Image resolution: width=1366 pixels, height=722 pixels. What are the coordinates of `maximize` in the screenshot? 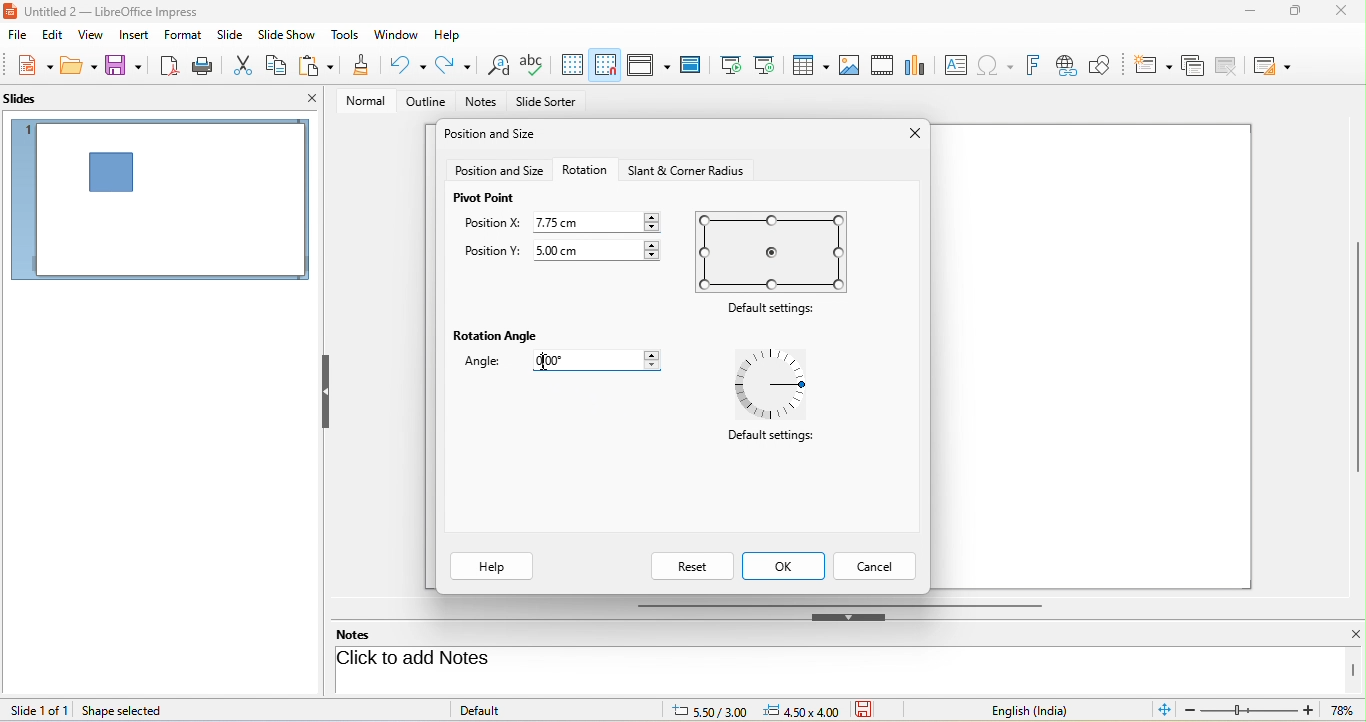 It's located at (1288, 15).